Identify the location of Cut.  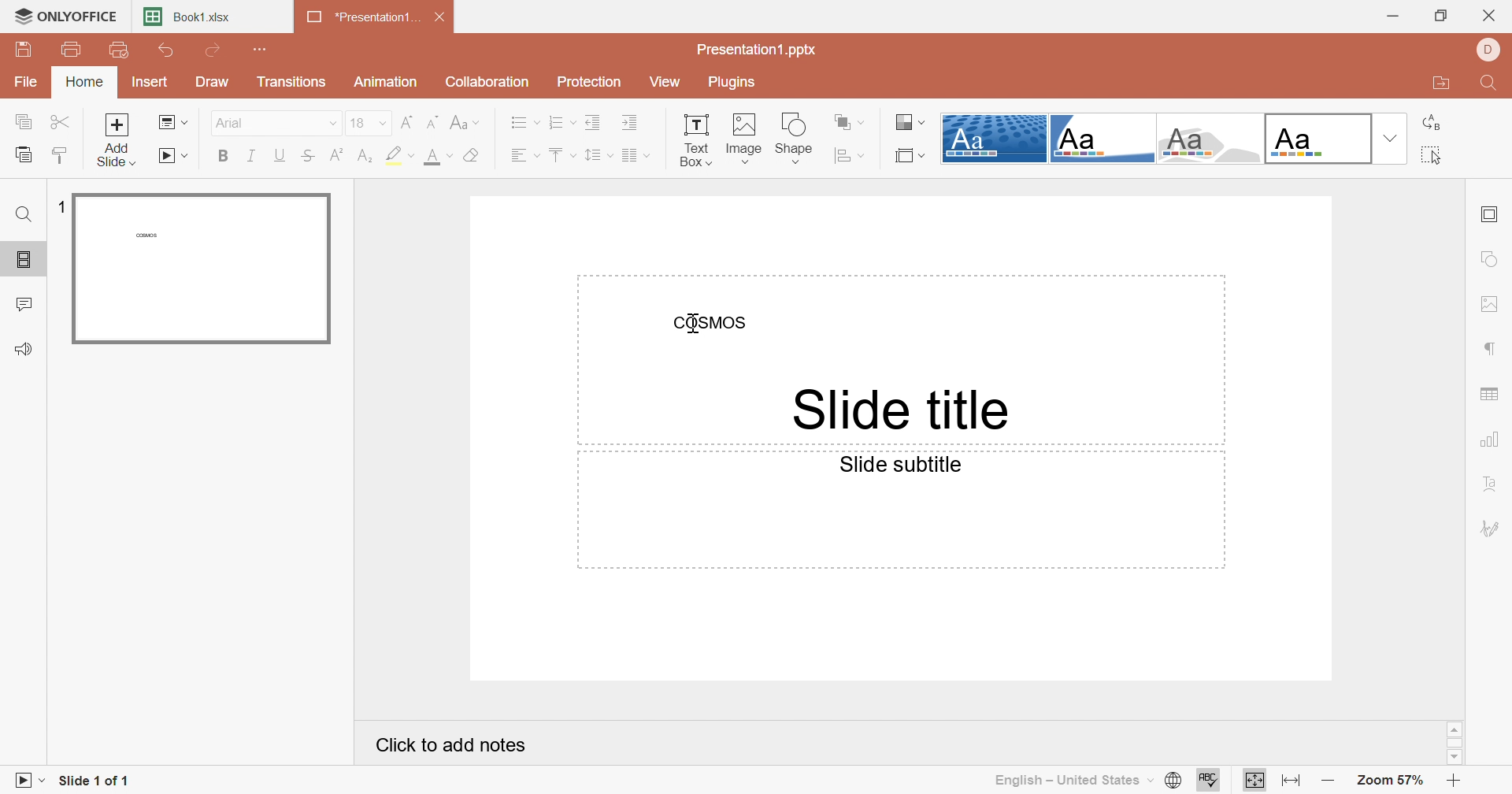
(55, 123).